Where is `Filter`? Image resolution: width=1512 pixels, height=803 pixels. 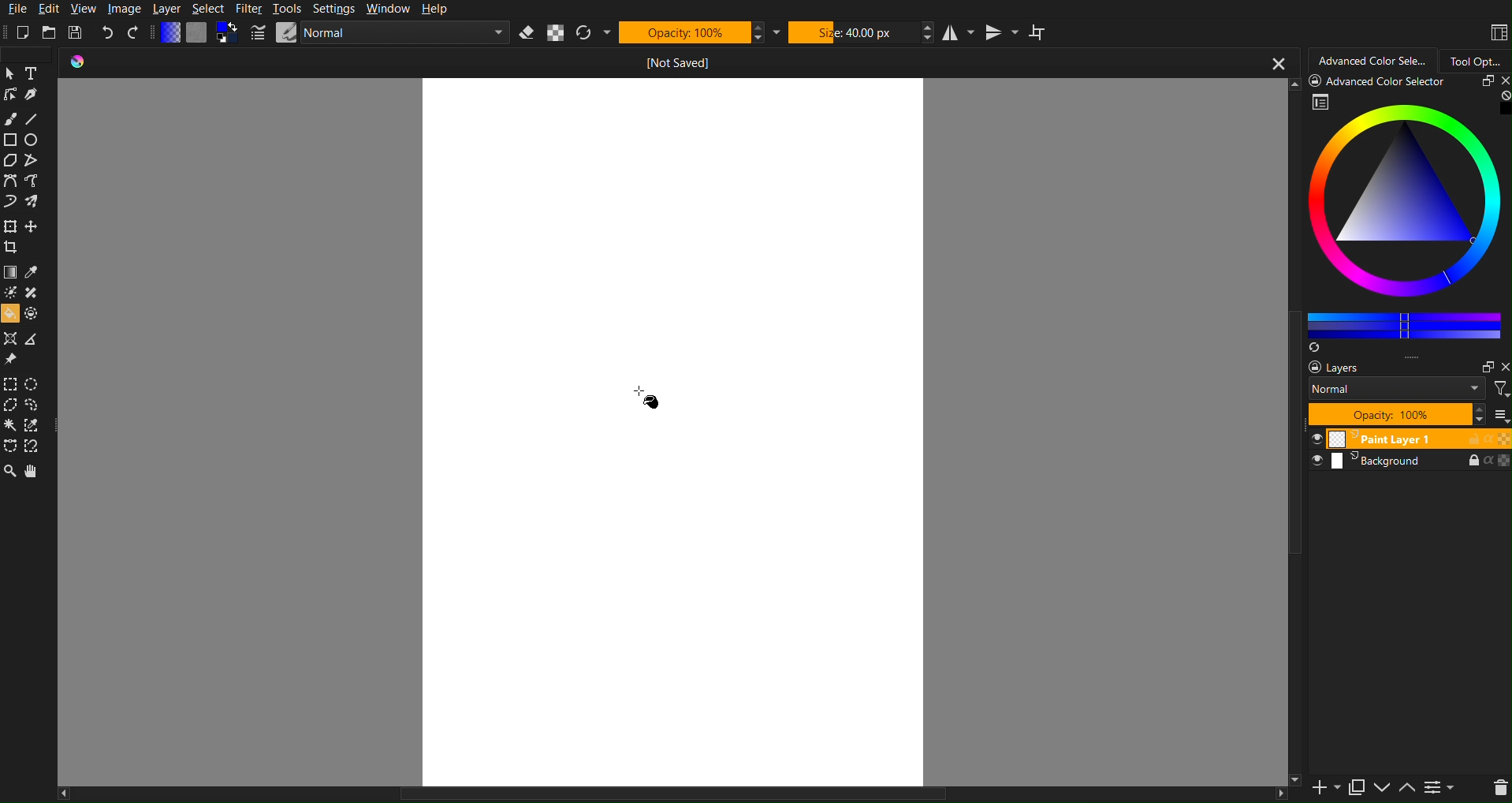 Filter is located at coordinates (1499, 387).